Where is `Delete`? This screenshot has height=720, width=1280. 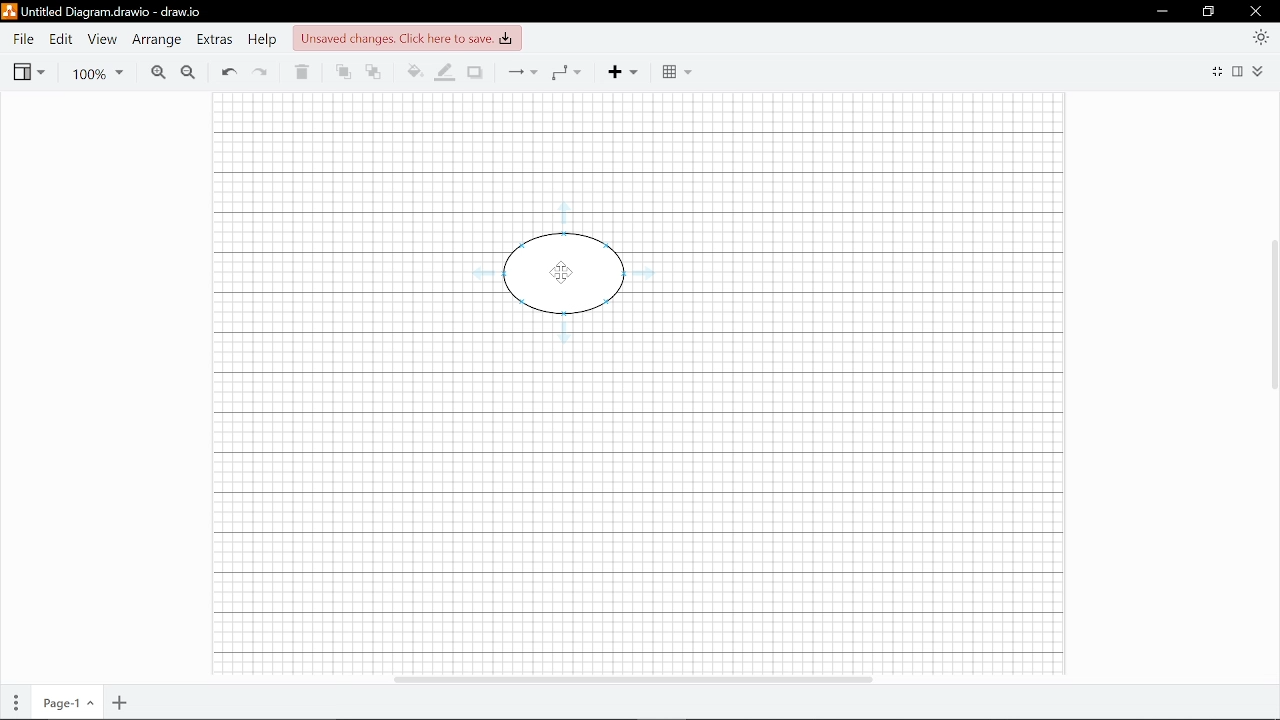
Delete is located at coordinates (301, 73).